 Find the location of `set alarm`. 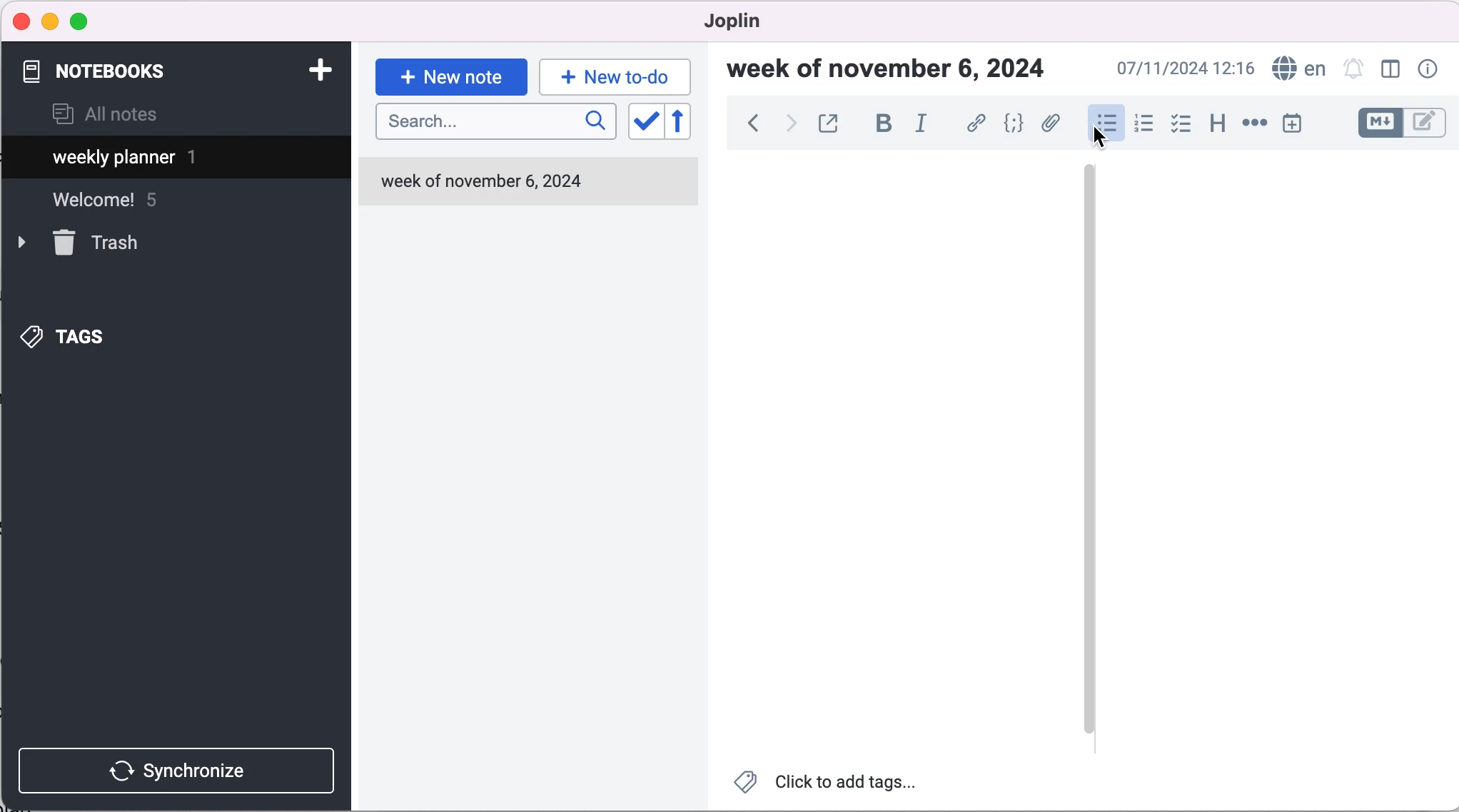

set alarm is located at coordinates (1354, 71).